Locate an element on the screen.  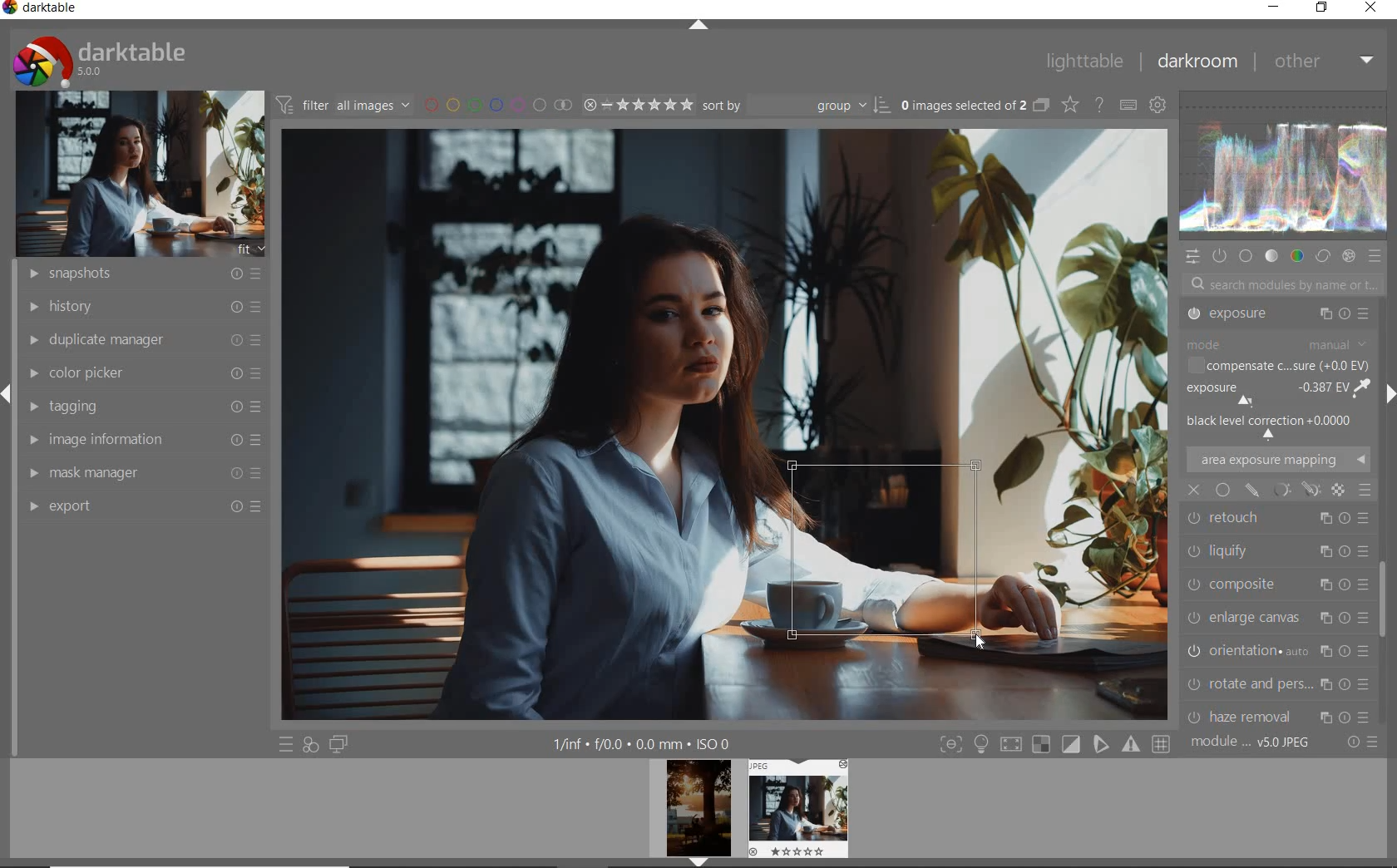
FILTER IMAGE is located at coordinates (339, 105).